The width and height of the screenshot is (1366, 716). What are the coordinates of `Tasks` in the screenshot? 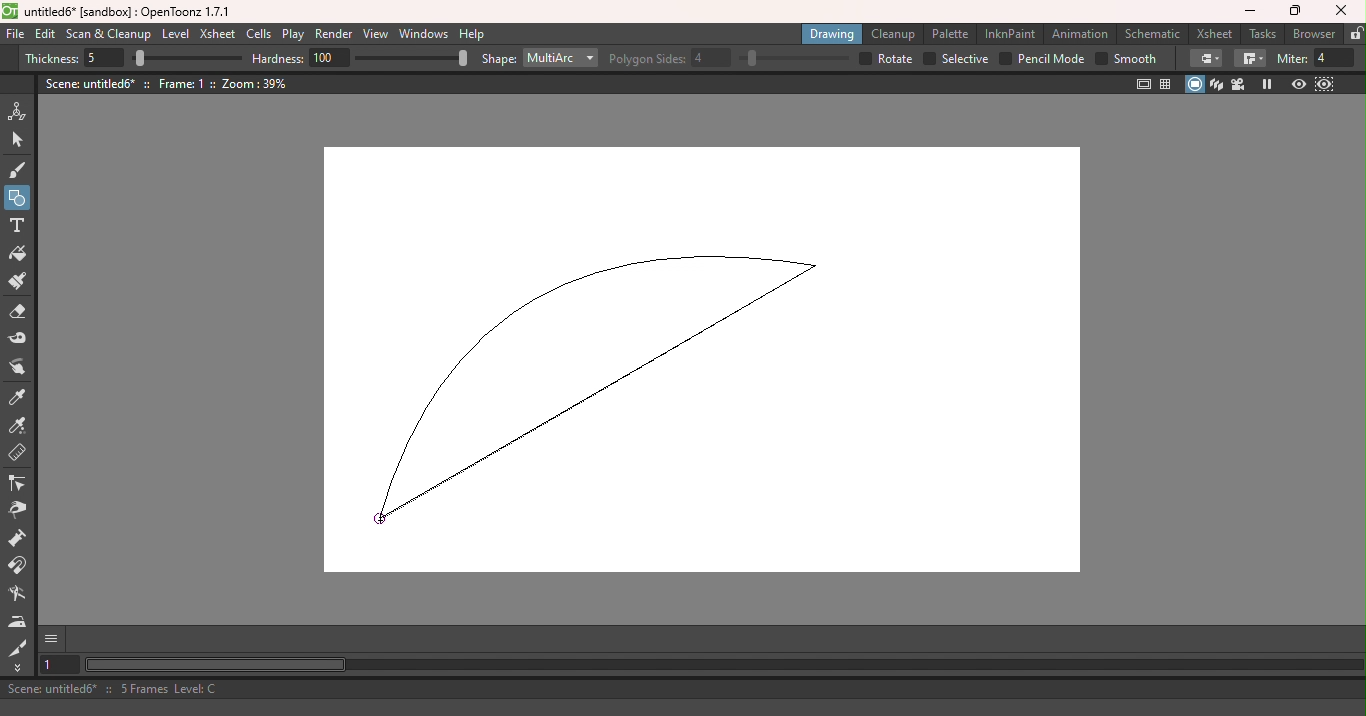 It's located at (1260, 33).